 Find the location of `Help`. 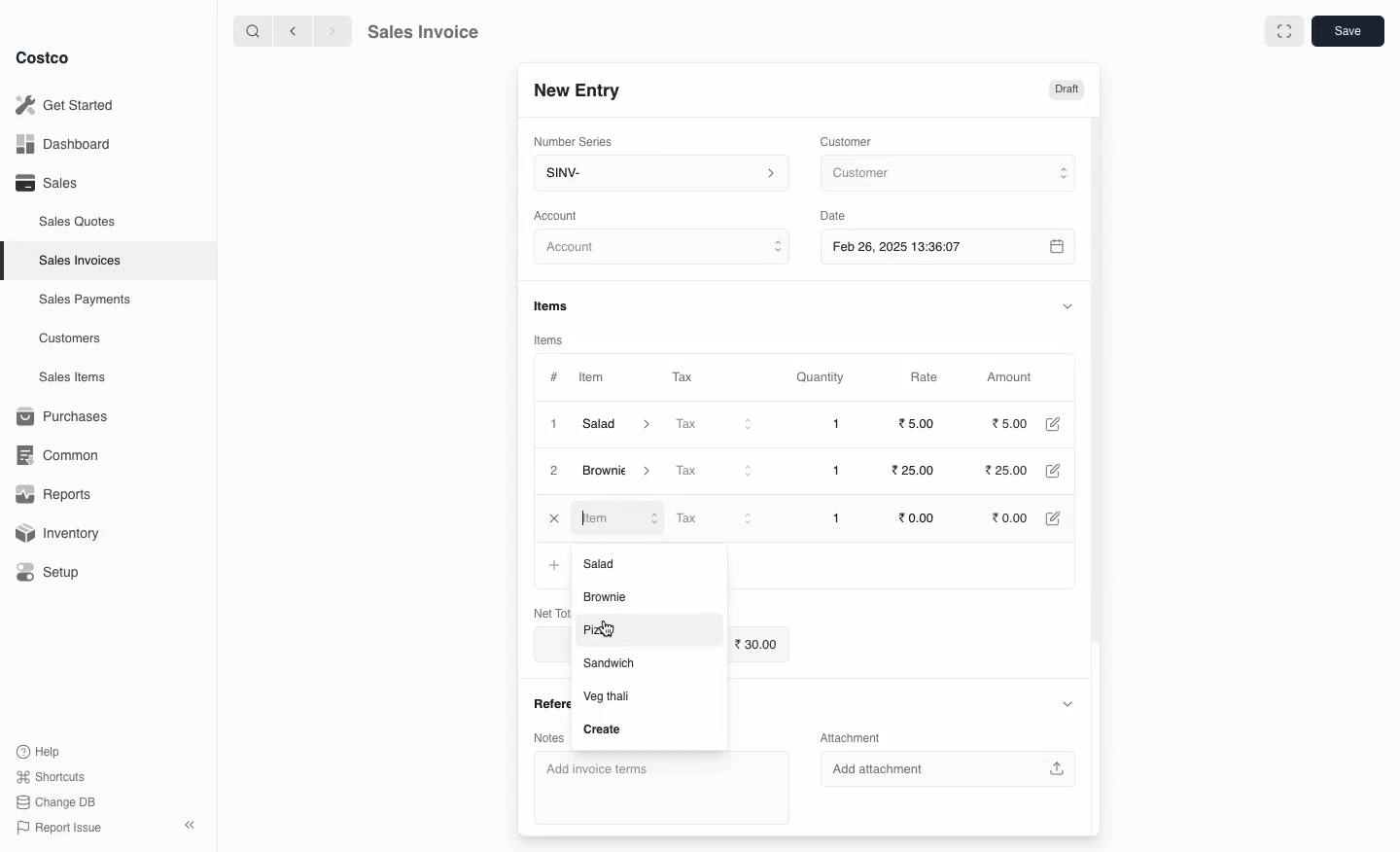

Help is located at coordinates (40, 750).